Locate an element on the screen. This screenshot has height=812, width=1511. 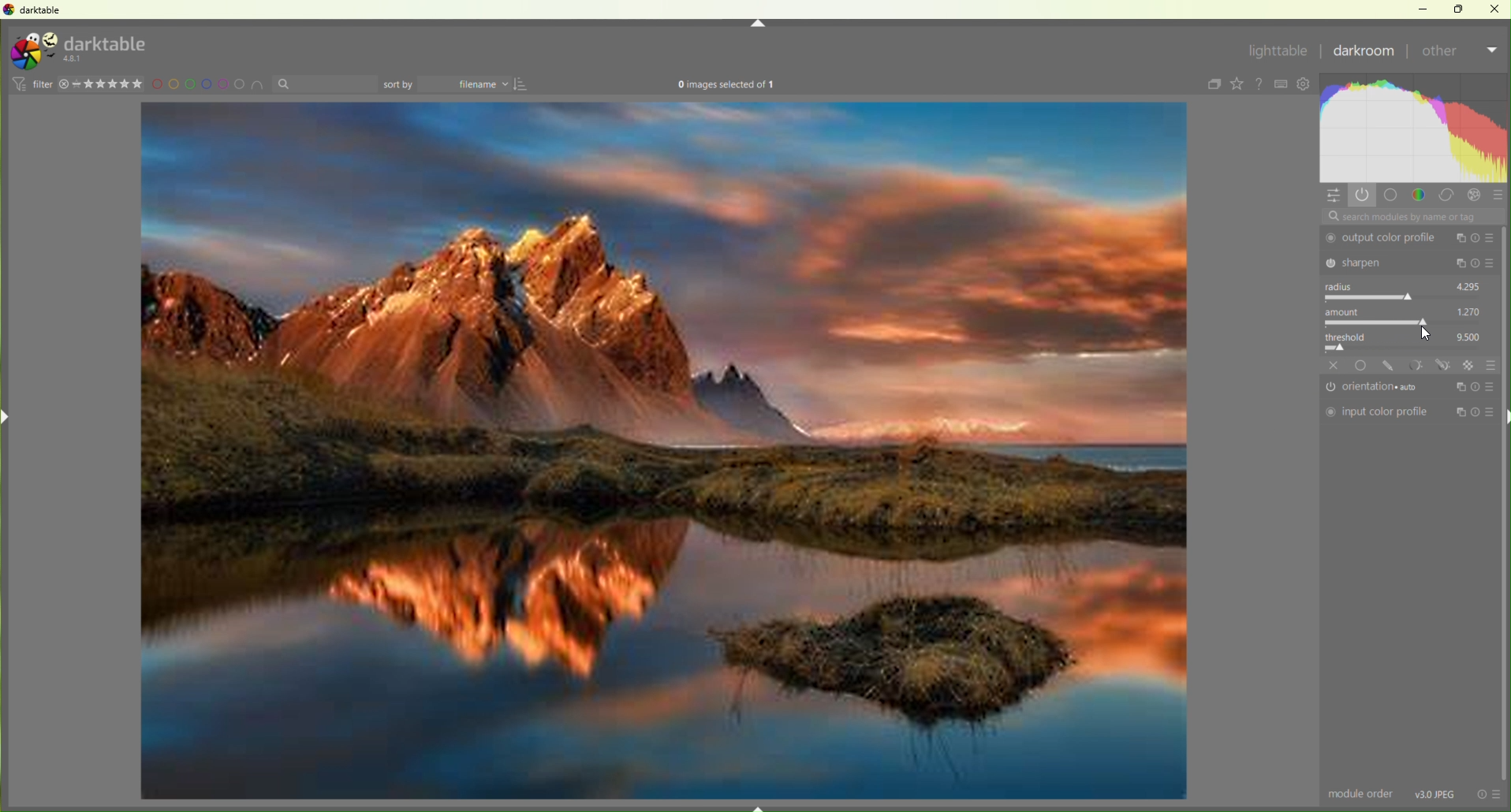
Help is located at coordinates (1261, 84).